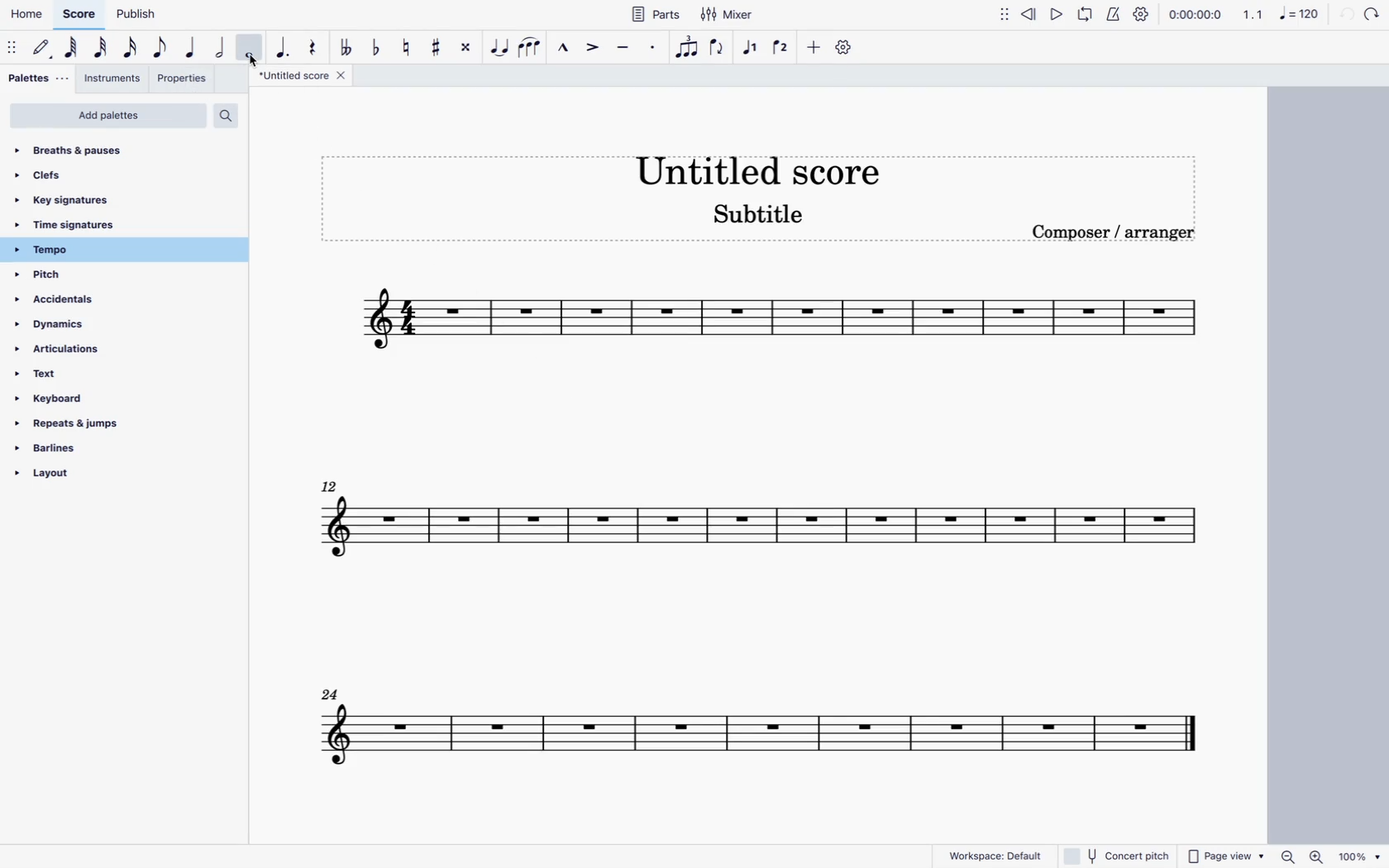 This screenshot has width=1389, height=868. I want to click on properties, so click(181, 79).